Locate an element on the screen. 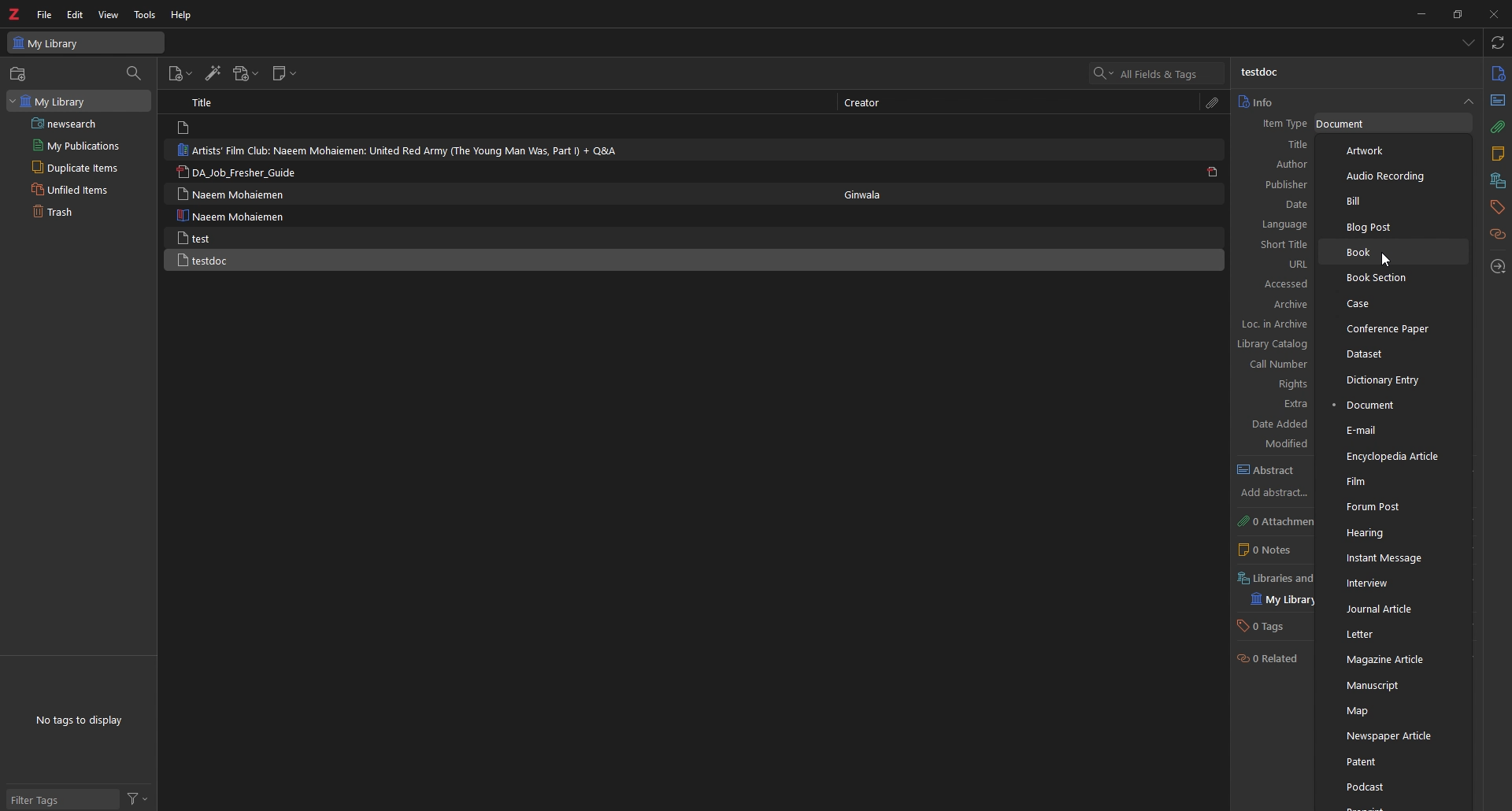 The image size is (1512, 811). dataset is located at coordinates (1393, 353).